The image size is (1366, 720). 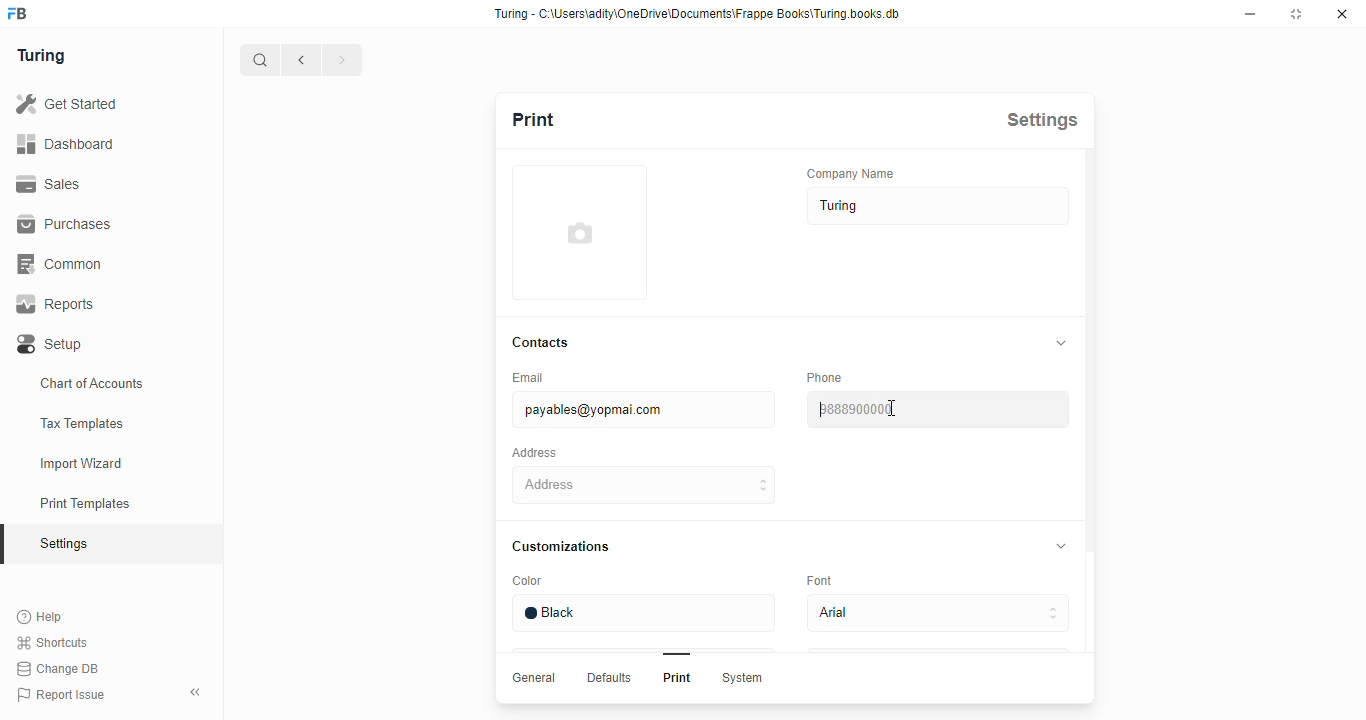 What do you see at coordinates (934, 208) in the screenshot?
I see `Turing` at bounding box center [934, 208].